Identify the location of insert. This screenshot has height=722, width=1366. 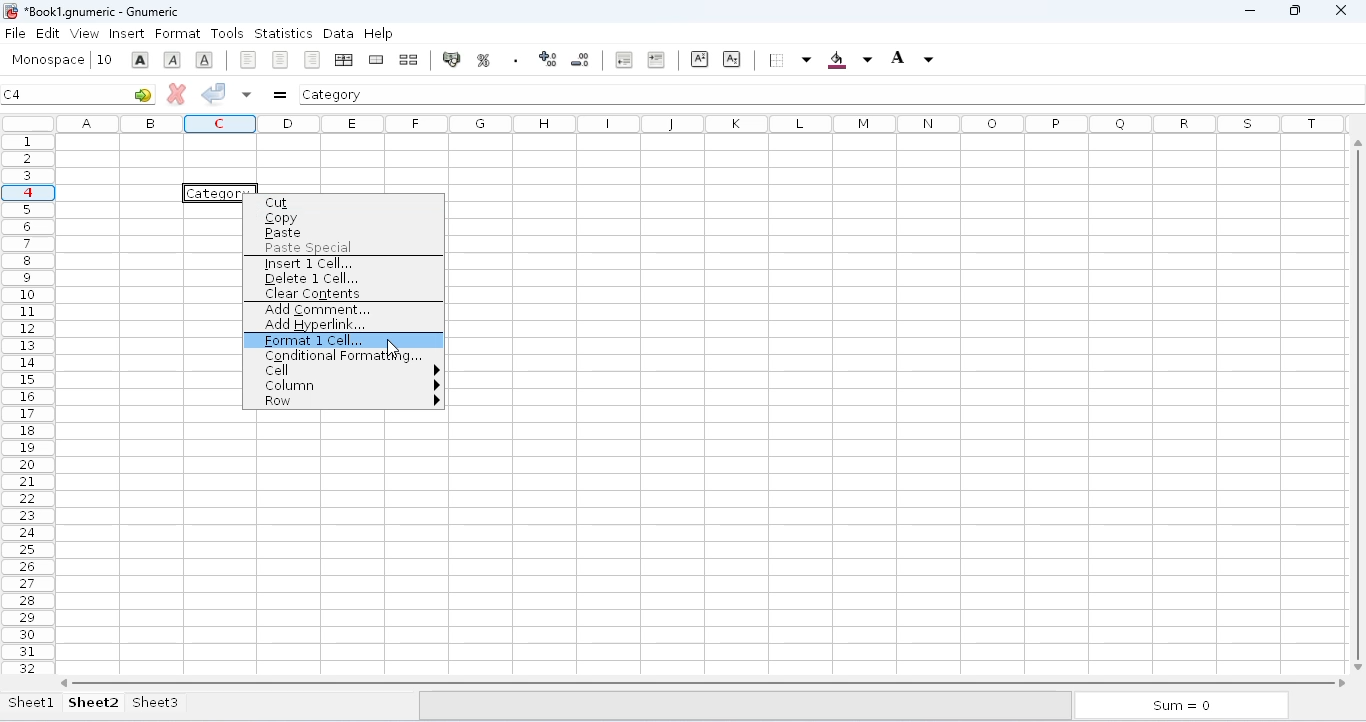
(127, 34).